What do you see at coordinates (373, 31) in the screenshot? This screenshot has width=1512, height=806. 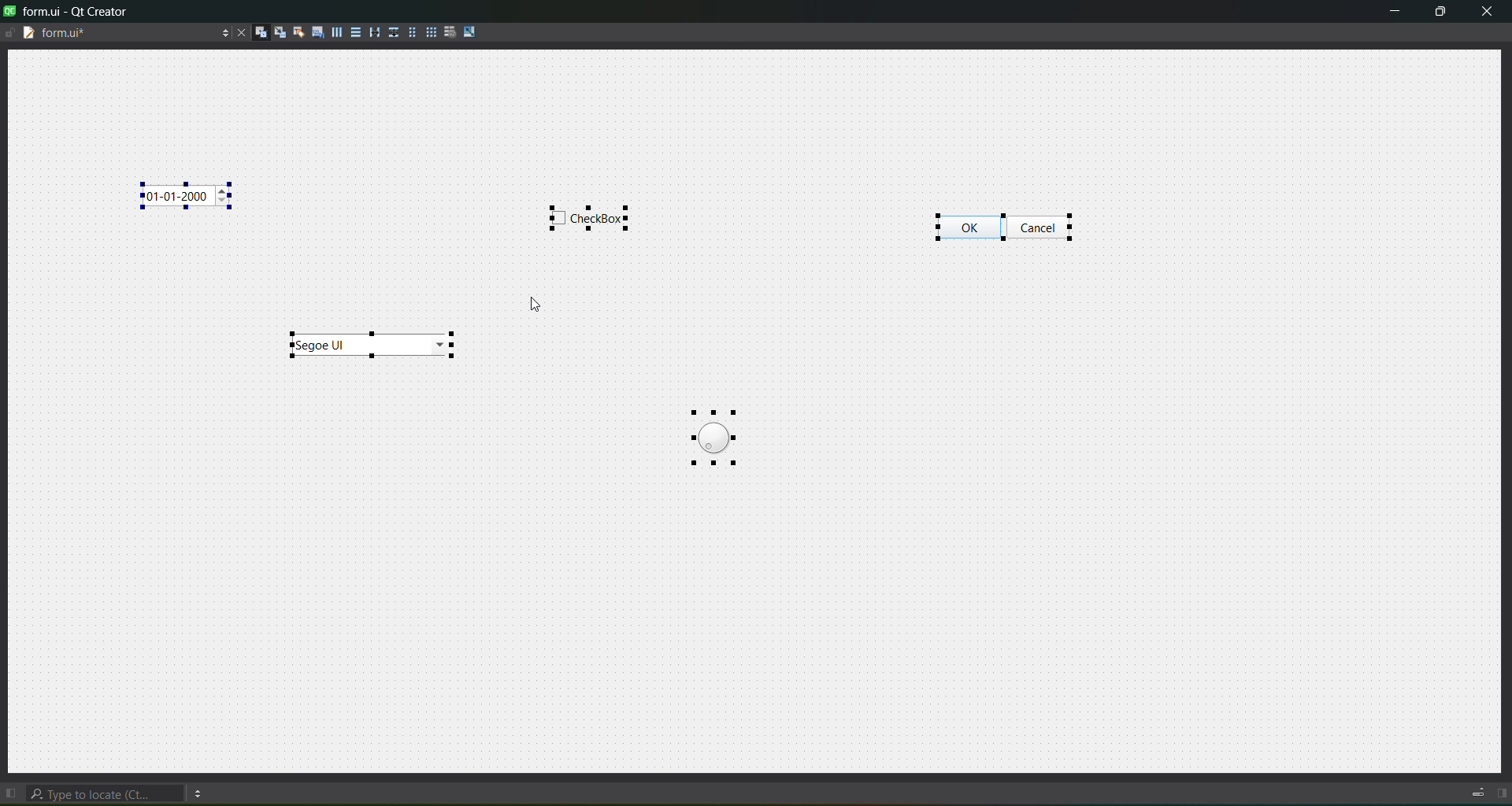 I see `layout horizontal splitter` at bounding box center [373, 31].